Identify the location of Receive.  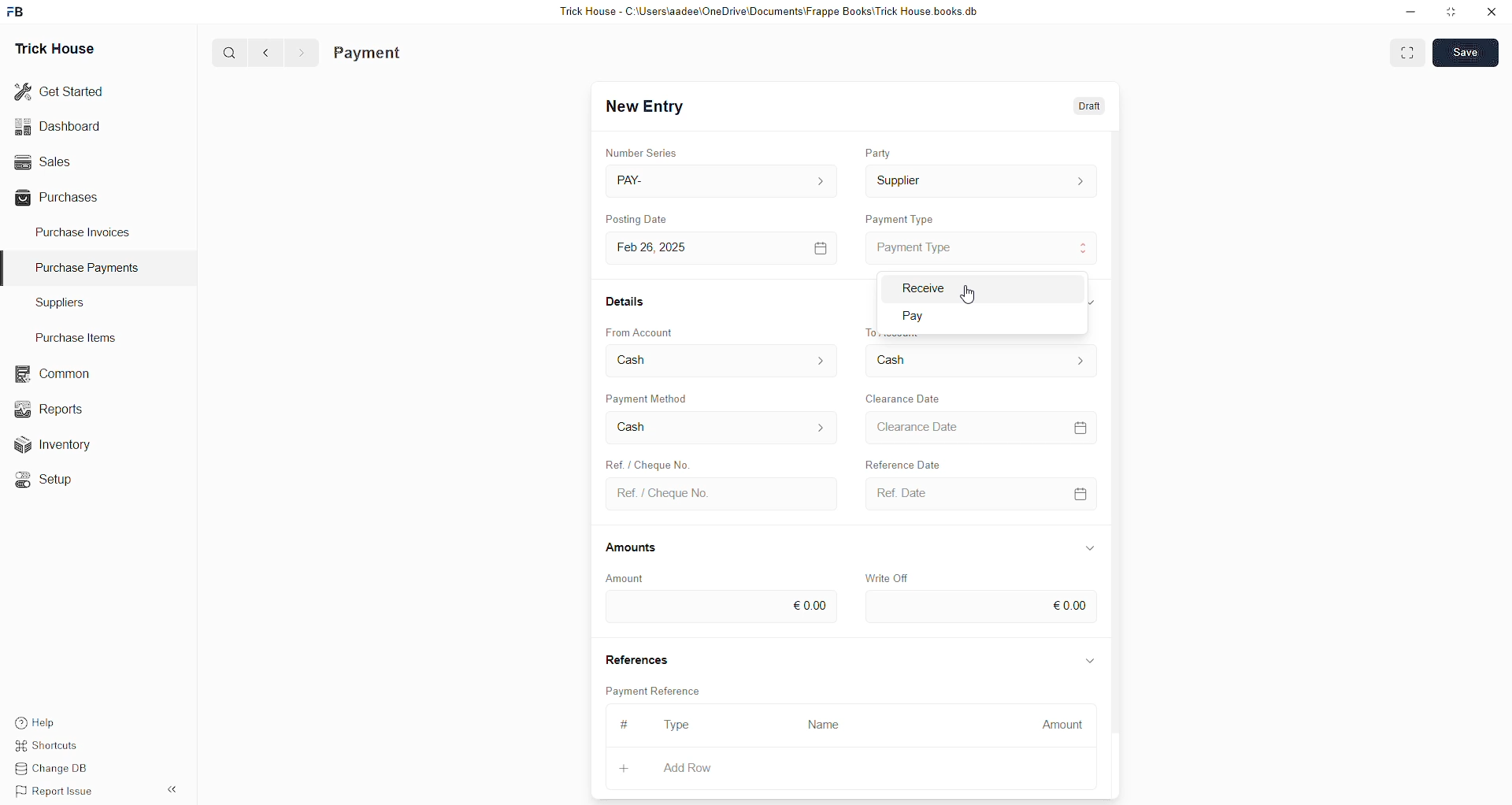
(922, 287).